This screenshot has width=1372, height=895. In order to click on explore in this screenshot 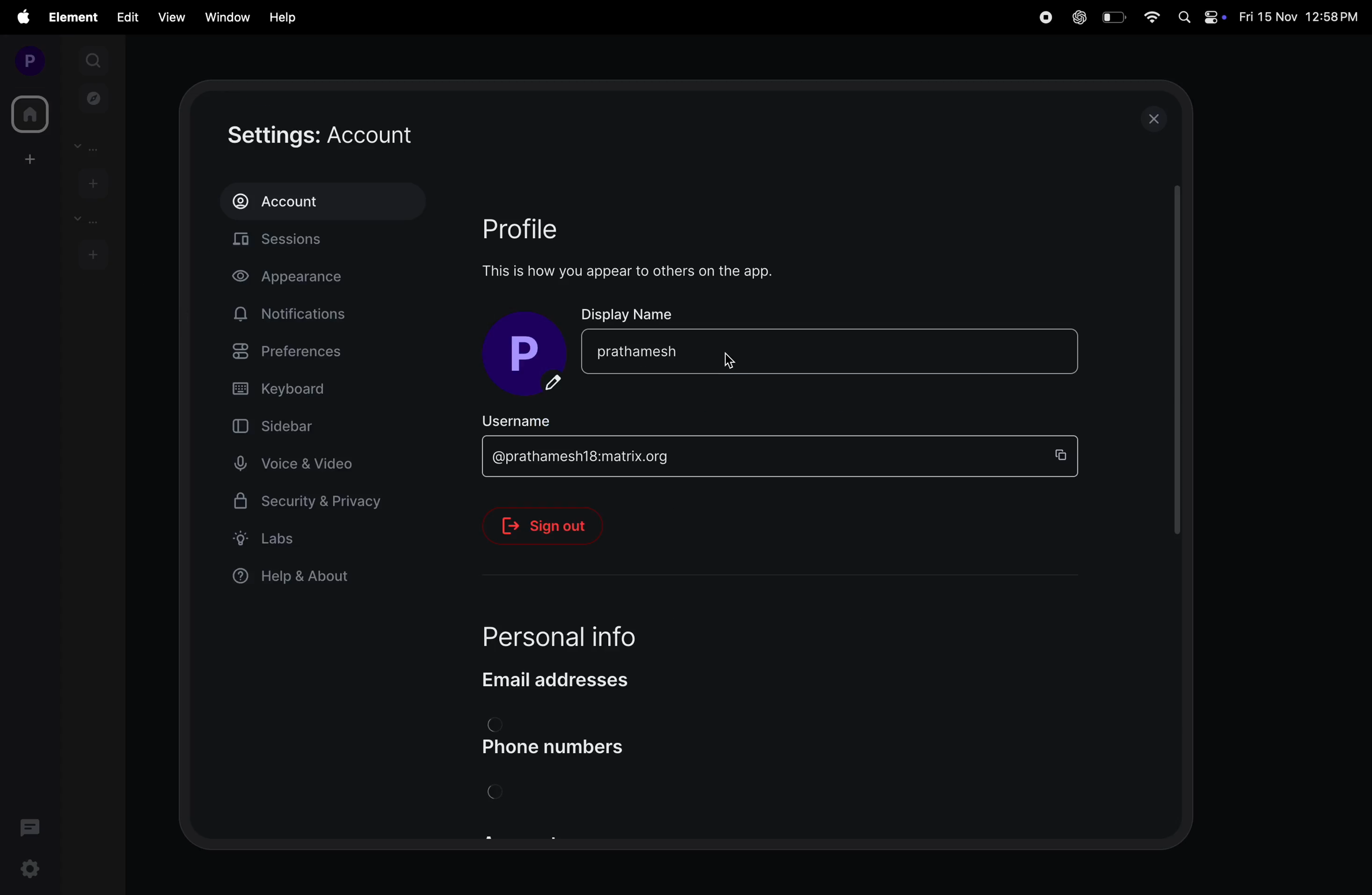, I will do `click(94, 97)`.